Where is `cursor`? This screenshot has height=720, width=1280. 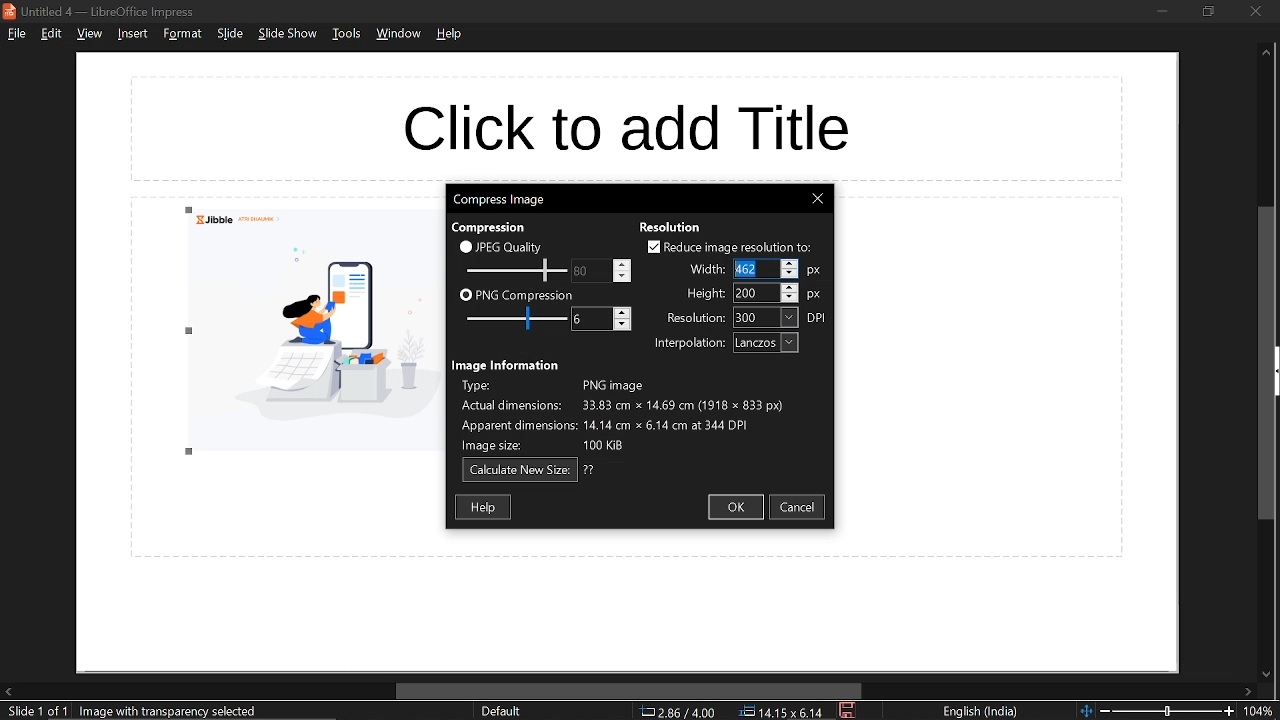
cursor is located at coordinates (738, 268).